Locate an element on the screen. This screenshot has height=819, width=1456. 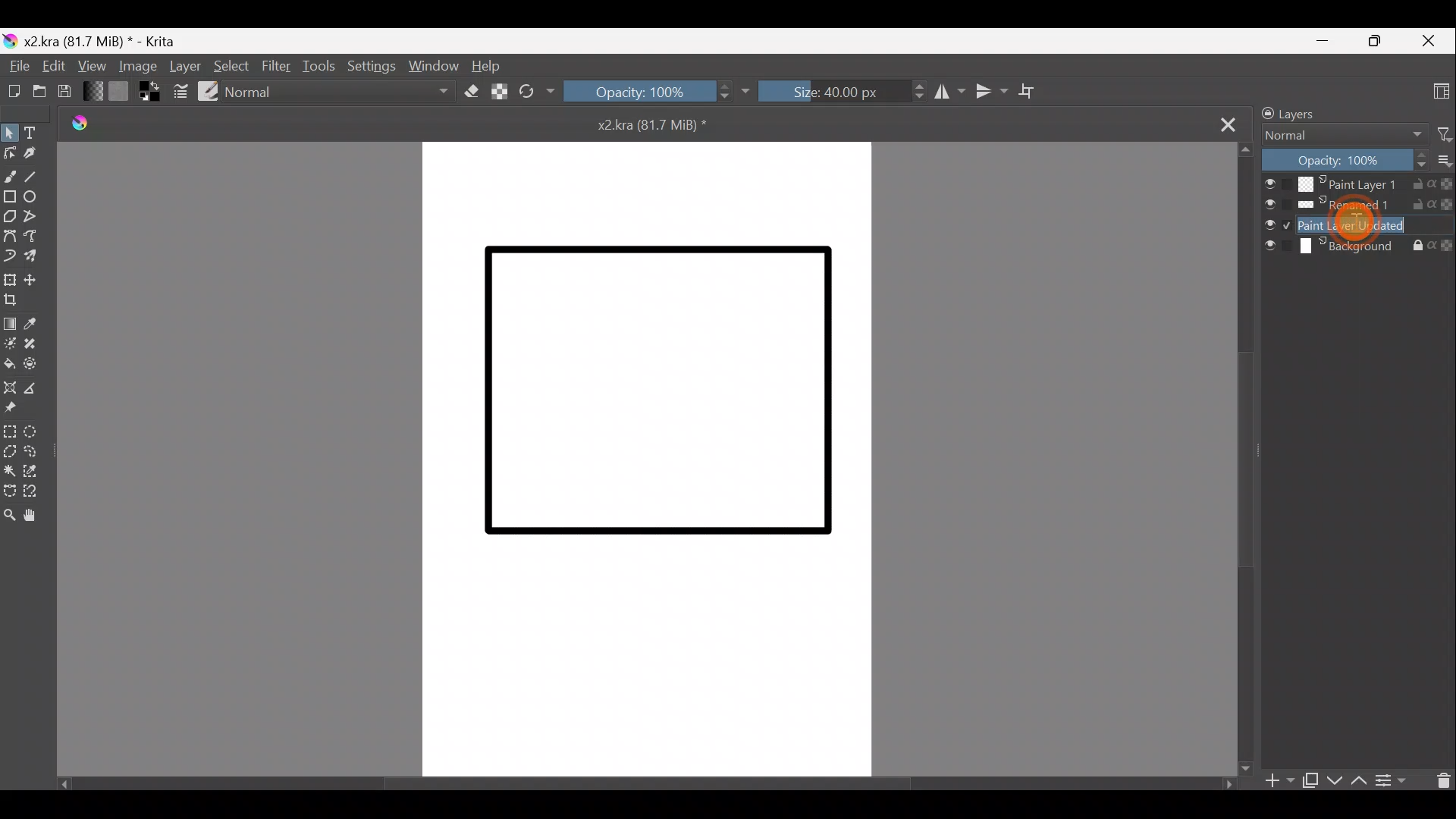
Text tool is located at coordinates (35, 132).